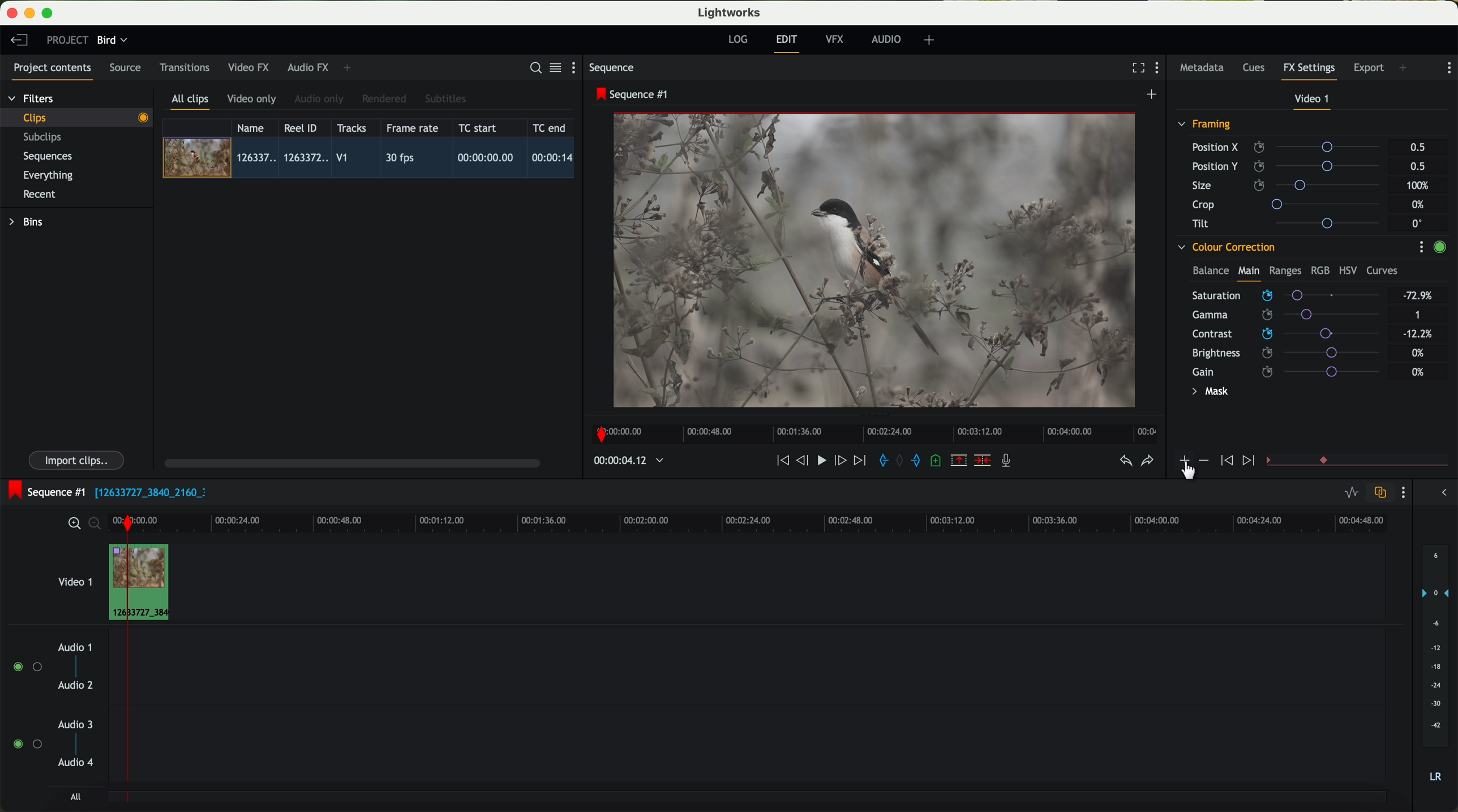  I want to click on 73.8%, so click(1418, 296).